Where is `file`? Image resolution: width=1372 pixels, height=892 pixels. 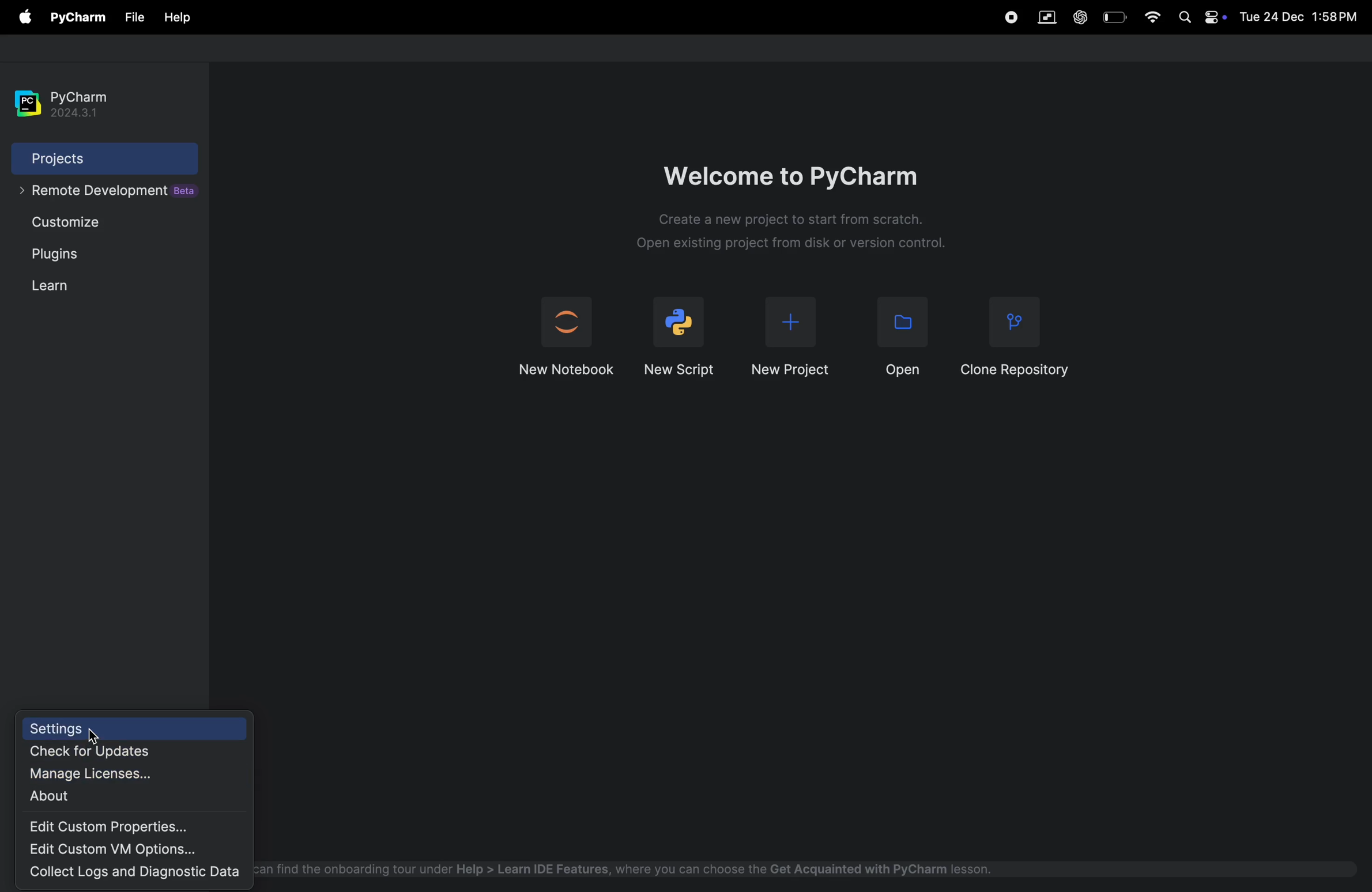 file is located at coordinates (177, 18).